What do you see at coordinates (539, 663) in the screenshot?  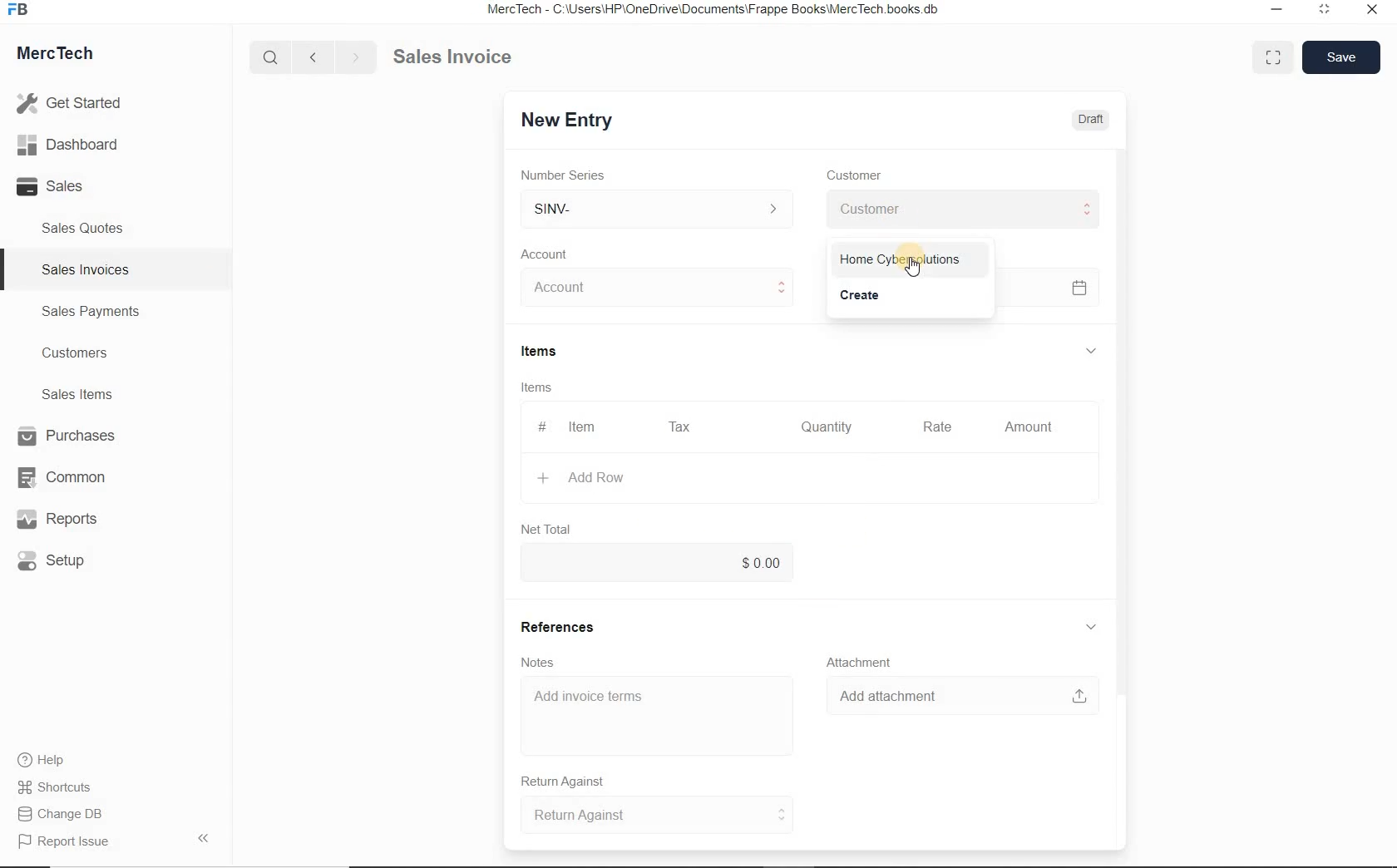 I see `Notes` at bounding box center [539, 663].